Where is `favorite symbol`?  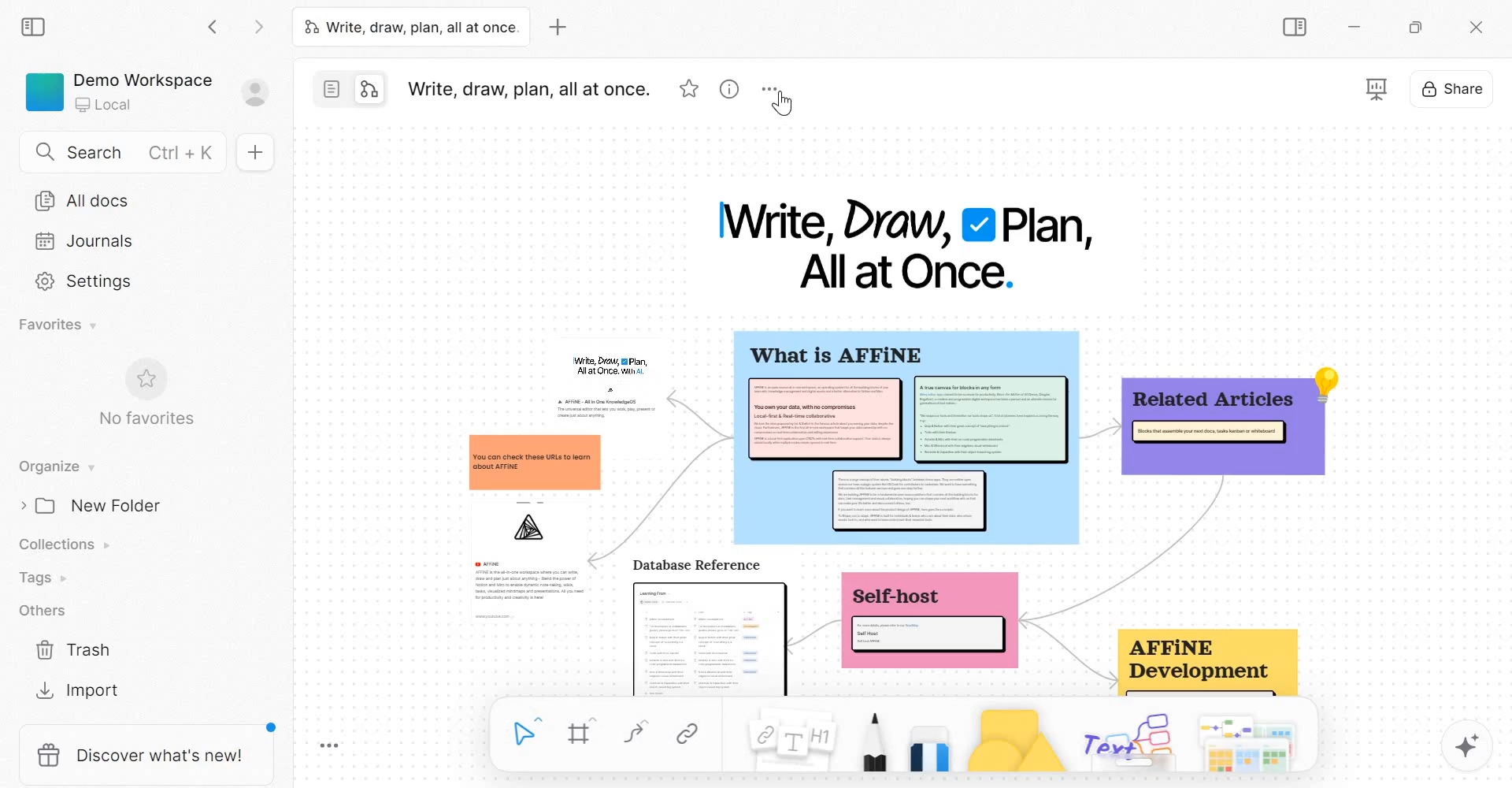 favorite symbol is located at coordinates (143, 379).